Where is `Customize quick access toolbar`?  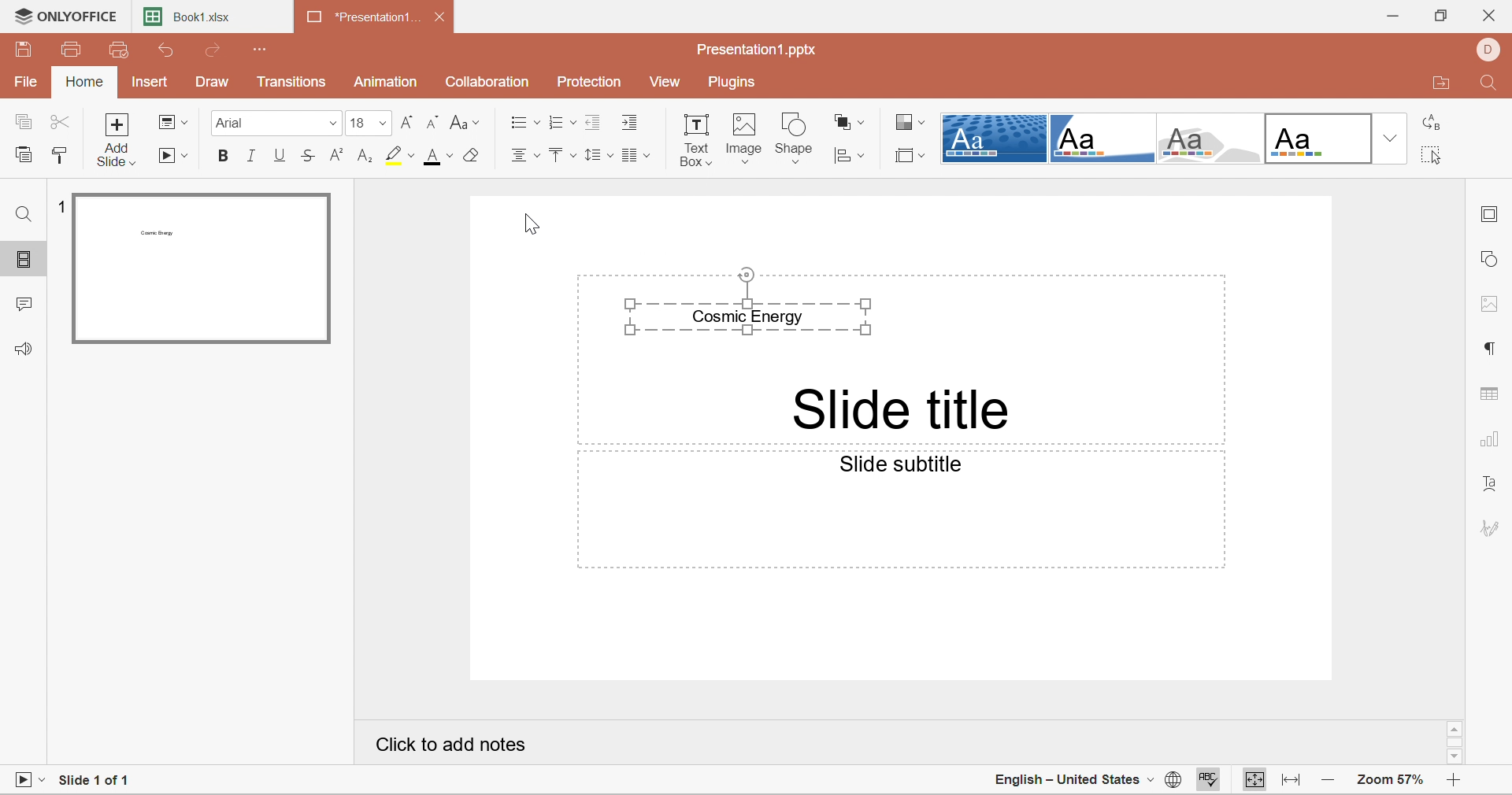
Customize quick access toolbar is located at coordinates (262, 50).